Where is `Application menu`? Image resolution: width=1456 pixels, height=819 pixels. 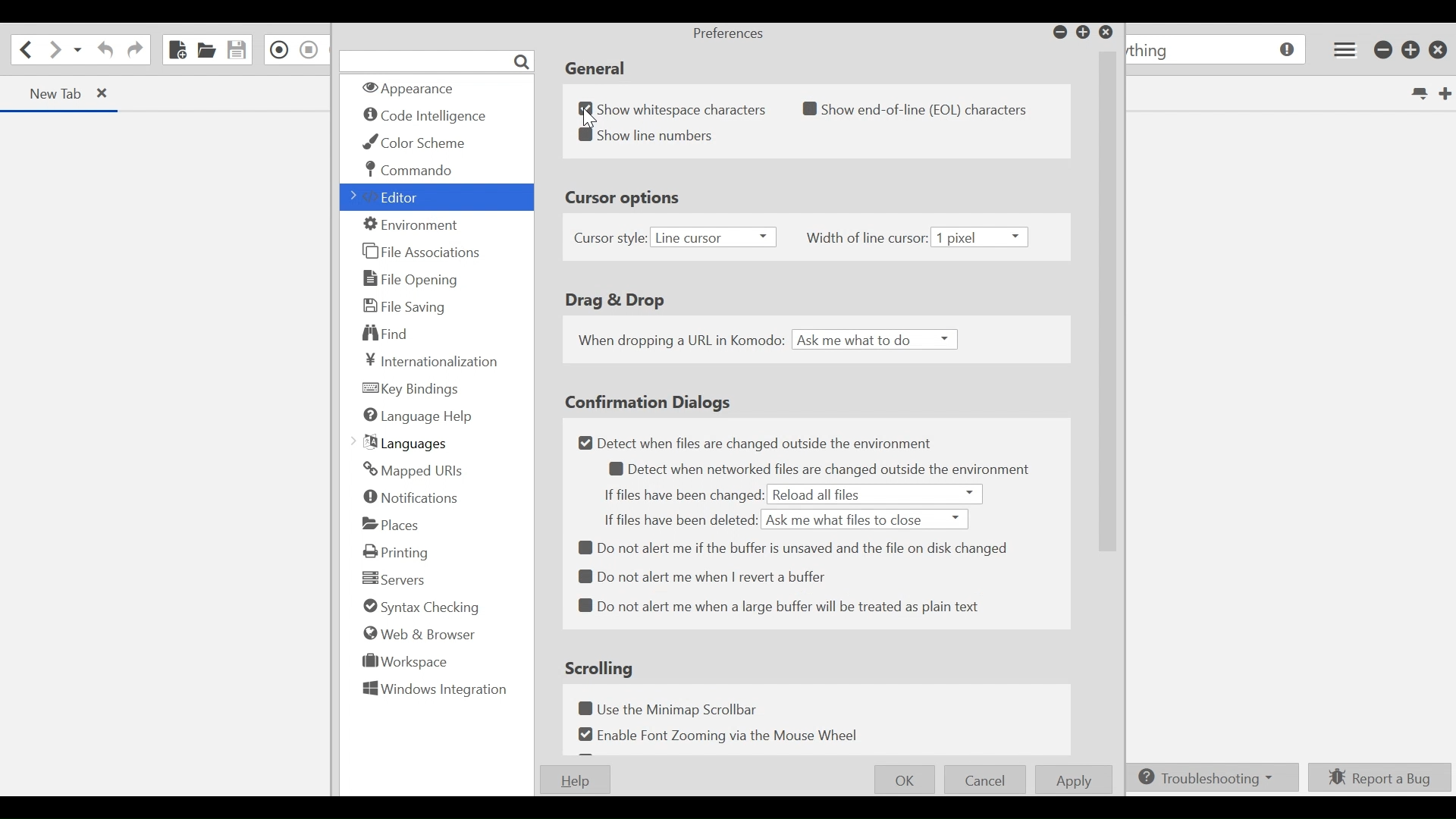
Application menu is located at coordinates (1345, 49).